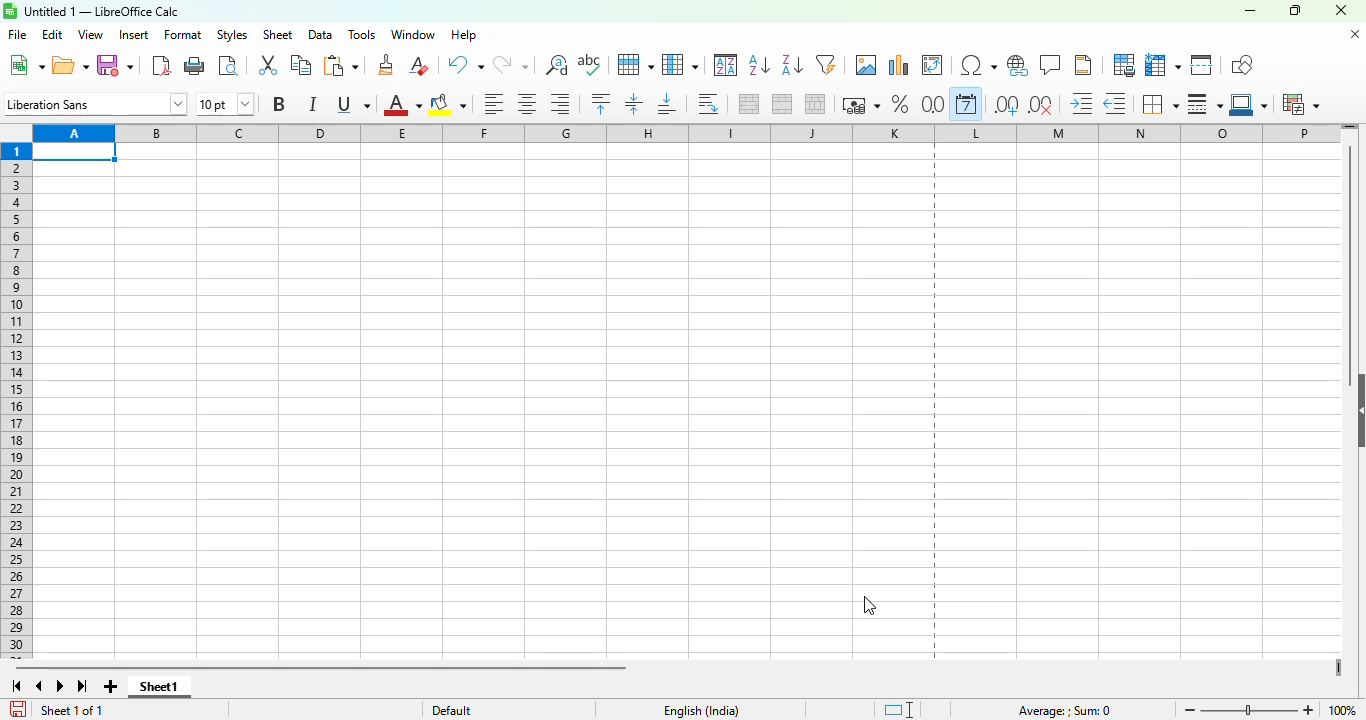  What do you see at coordinates (321, 35) in the screenshot?
I see `data` at bounding box center [321, 35].